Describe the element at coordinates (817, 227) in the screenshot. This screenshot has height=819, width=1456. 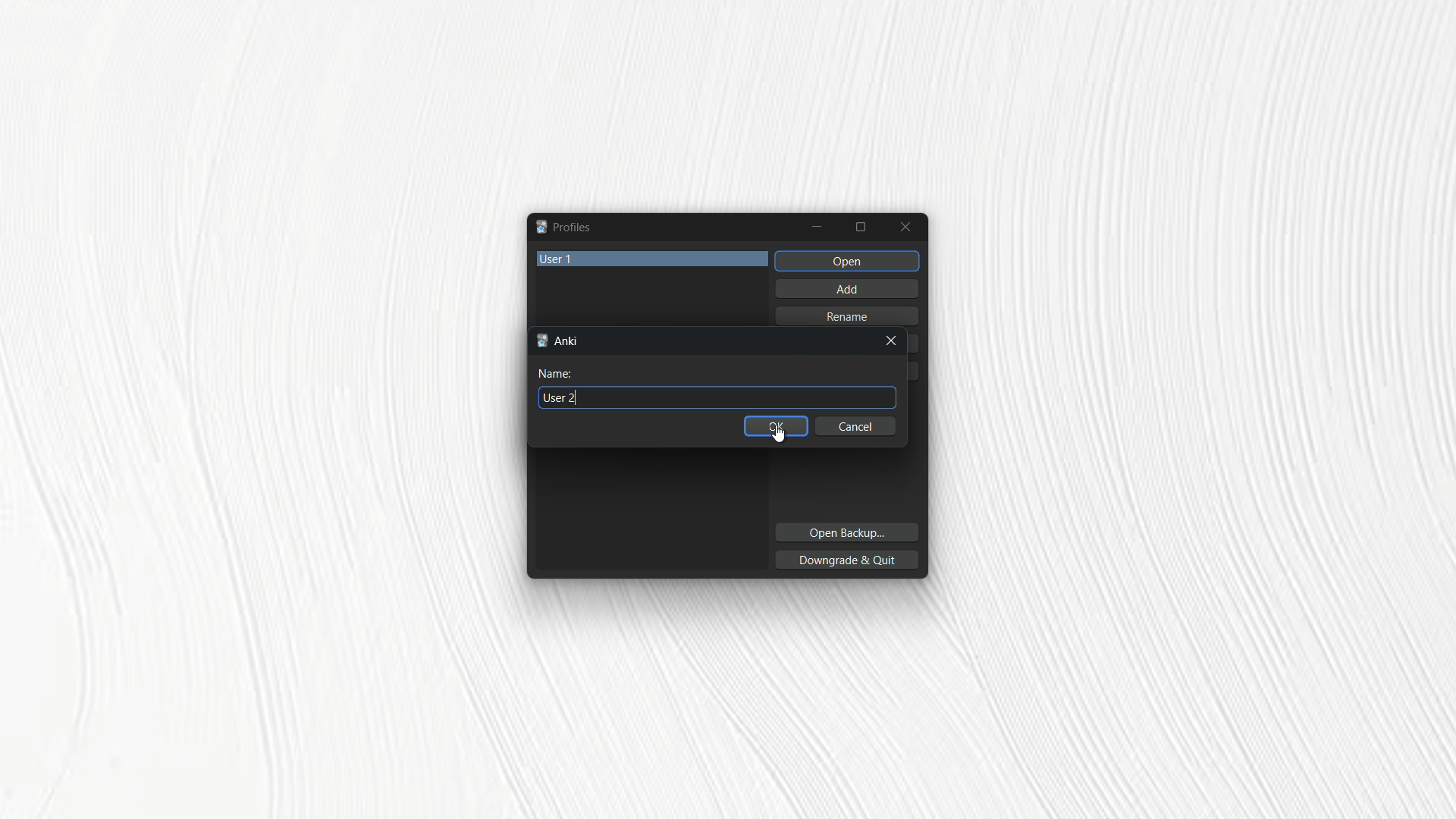
I see `minimize` at that location.